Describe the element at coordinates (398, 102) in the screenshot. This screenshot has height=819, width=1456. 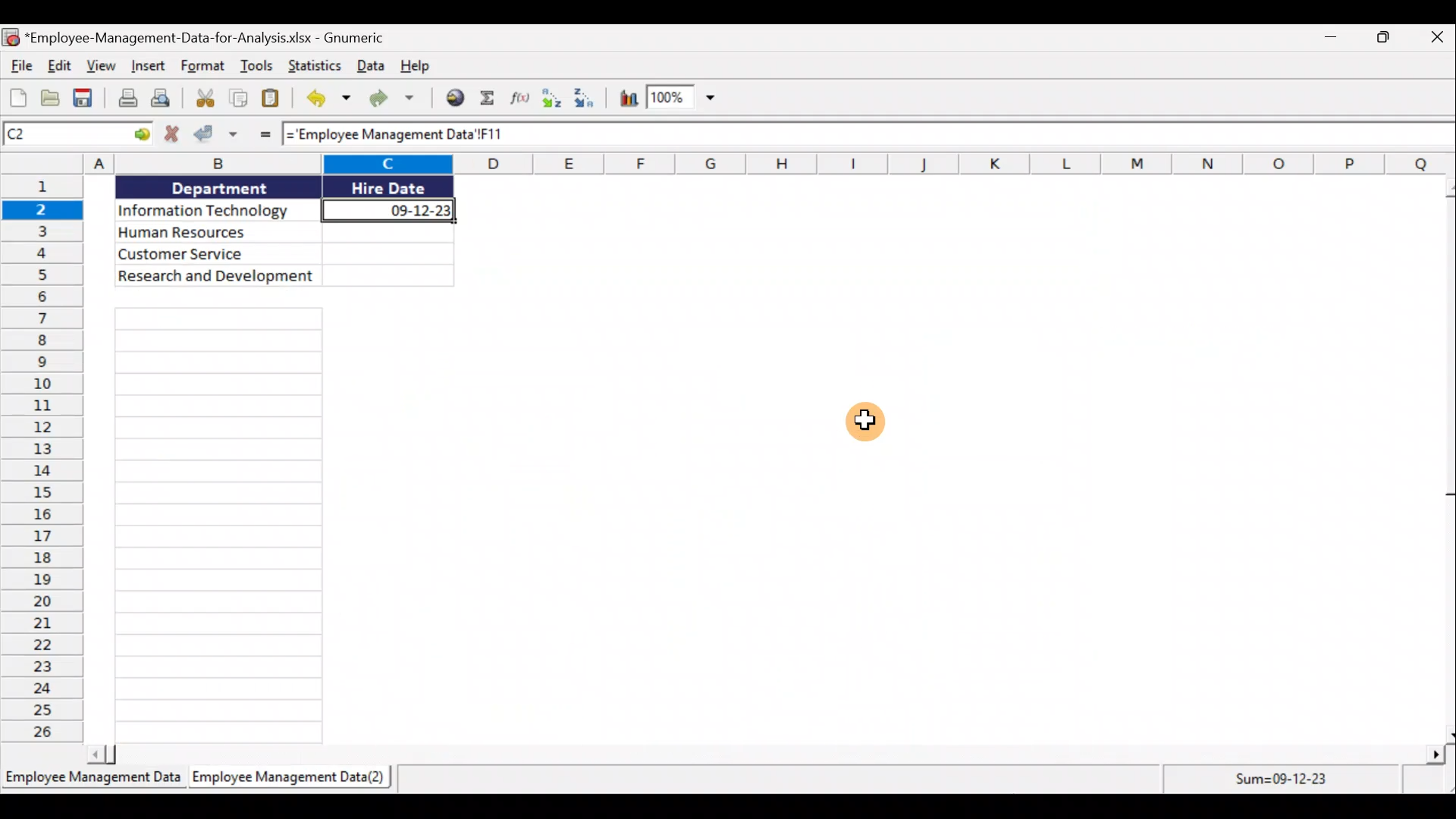
I see `Redo undone action` at that location.